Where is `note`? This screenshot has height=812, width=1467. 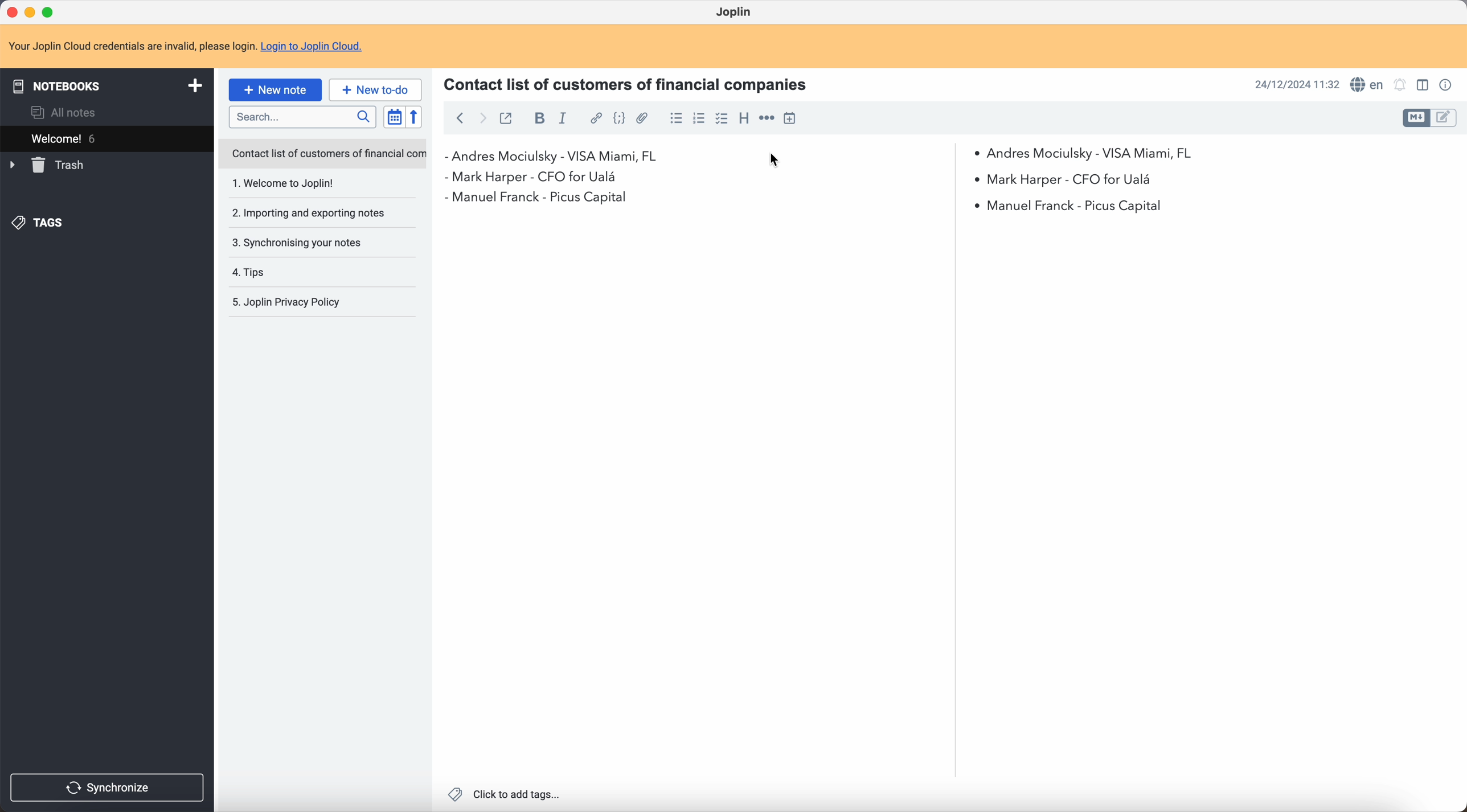
note is located at coordinates (185, 44).